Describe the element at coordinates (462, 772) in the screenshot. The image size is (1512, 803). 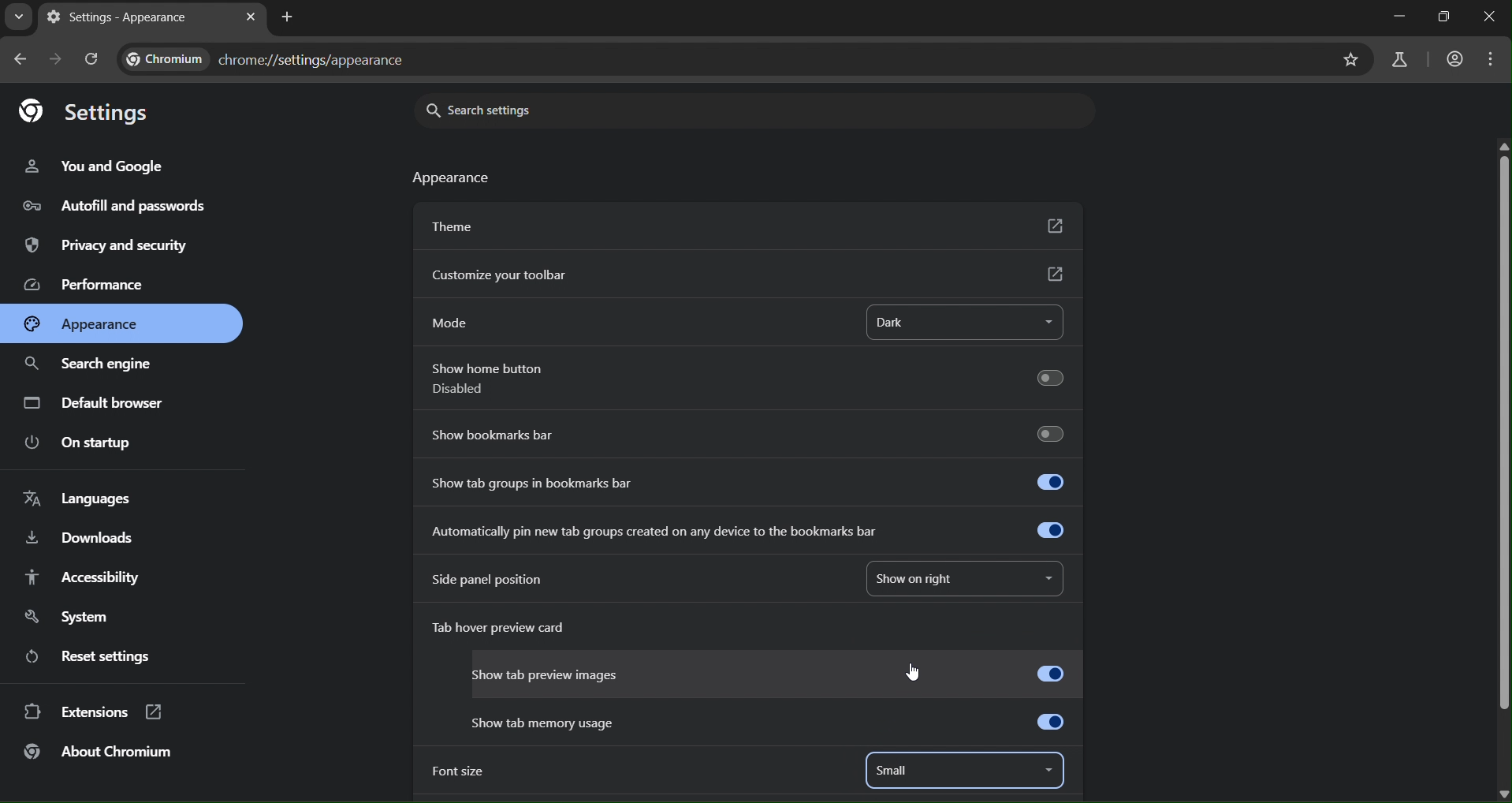
I see `font size` at that location.